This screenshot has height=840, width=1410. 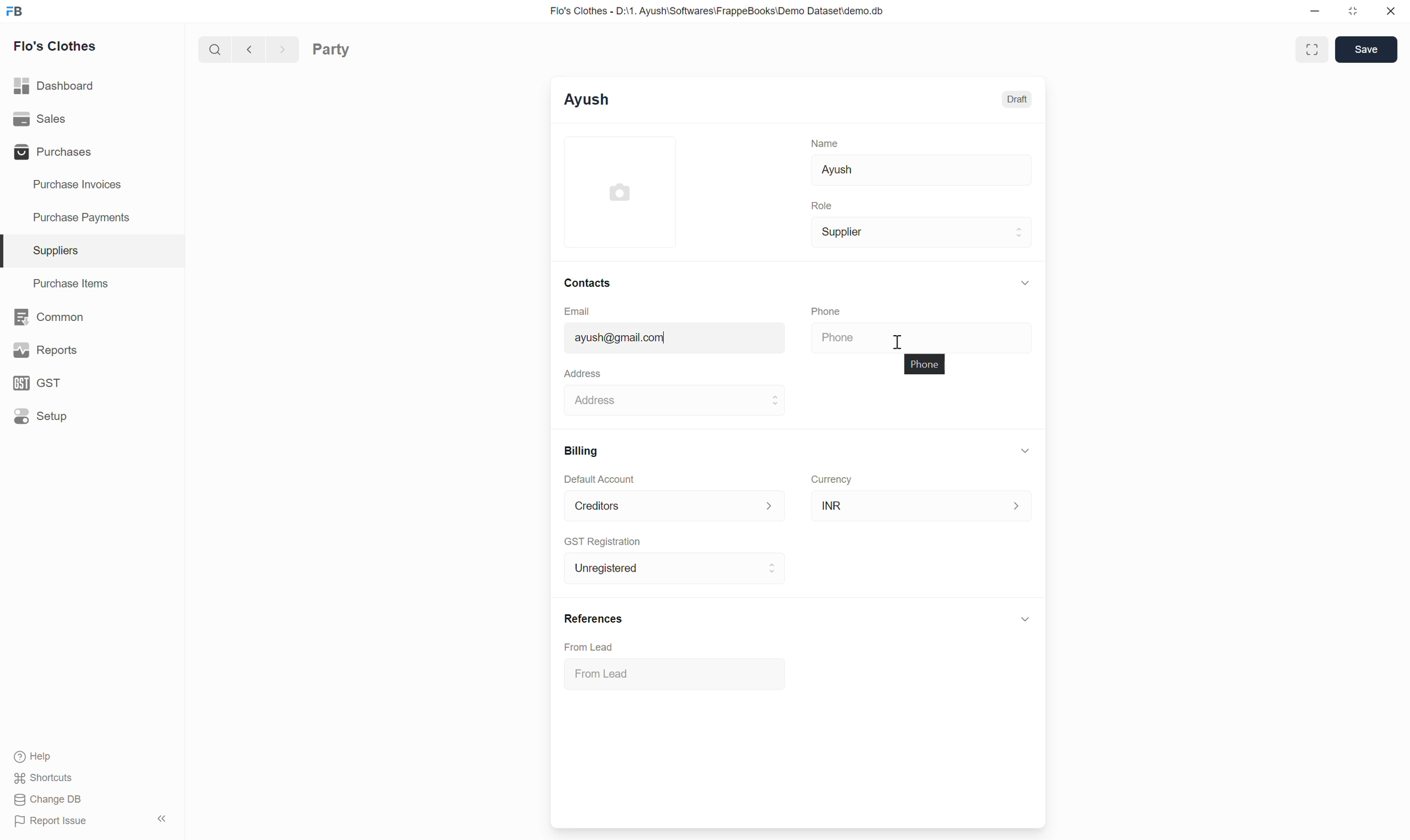 I want to click on Setup, so click(x=91, y=416).